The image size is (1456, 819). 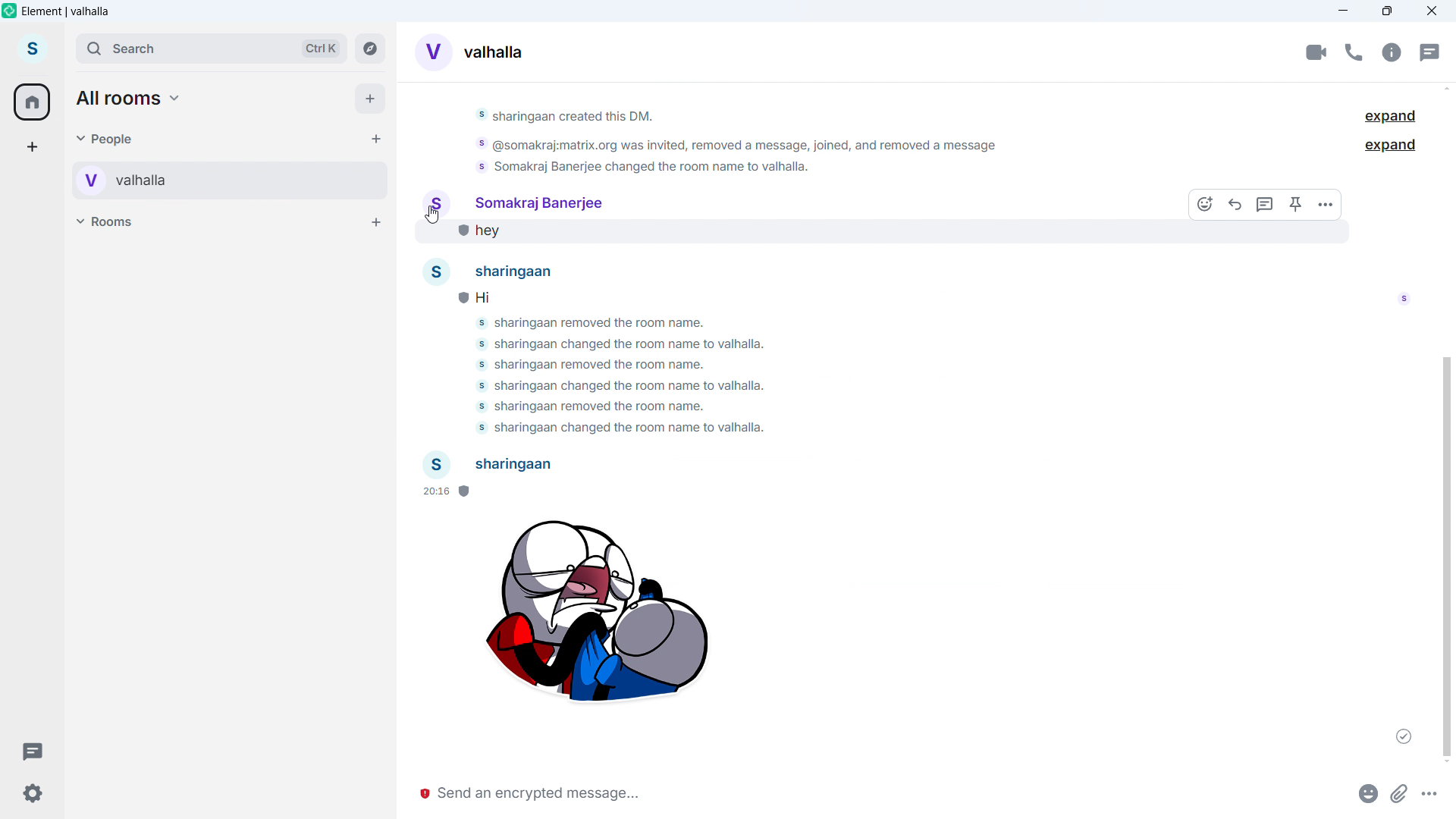 I want to click on Maximize, so click(x=1388, y=11).